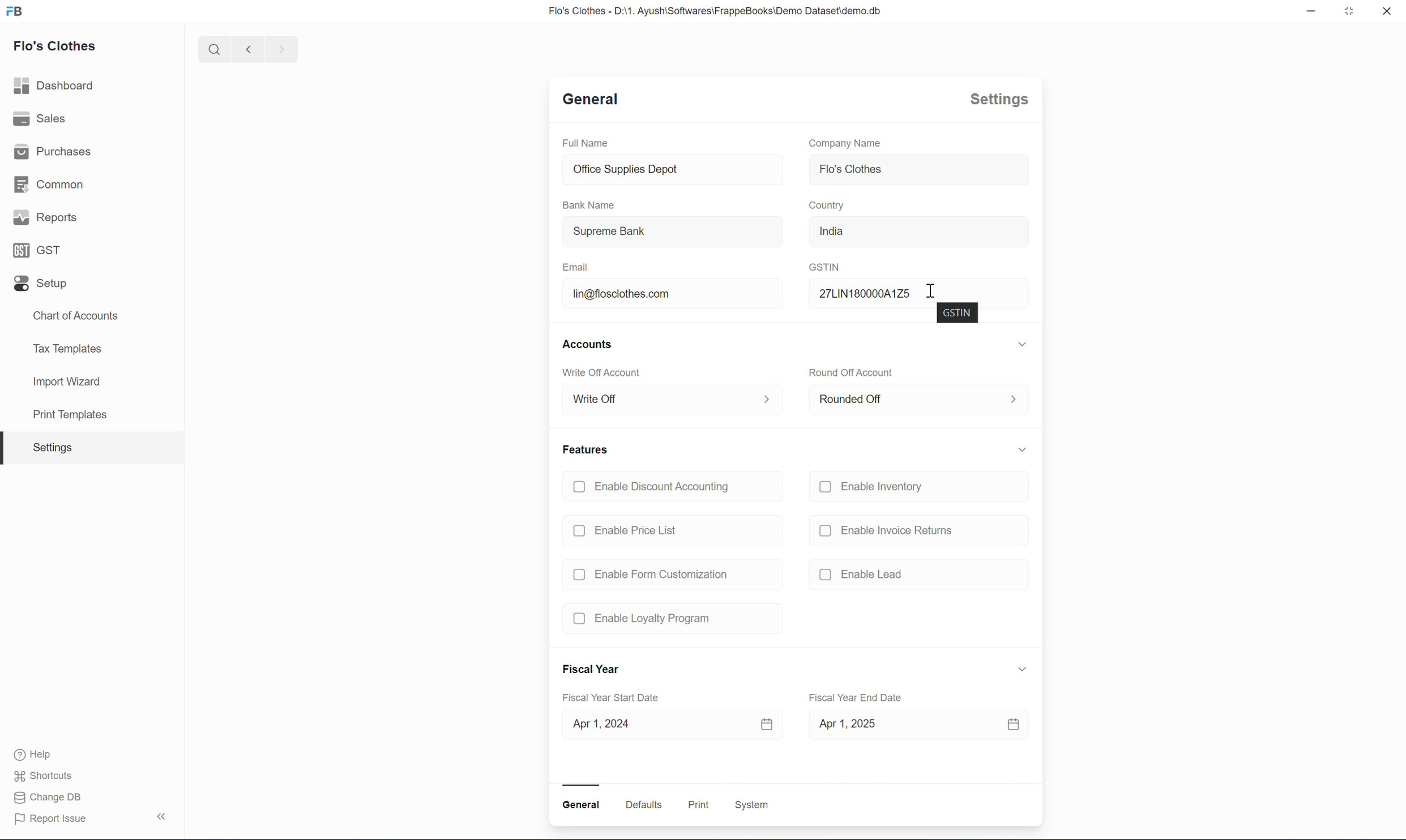 This screenshot has width=1406, height=840. I want to click on Enable Invoice Returns, so click(885, 531).